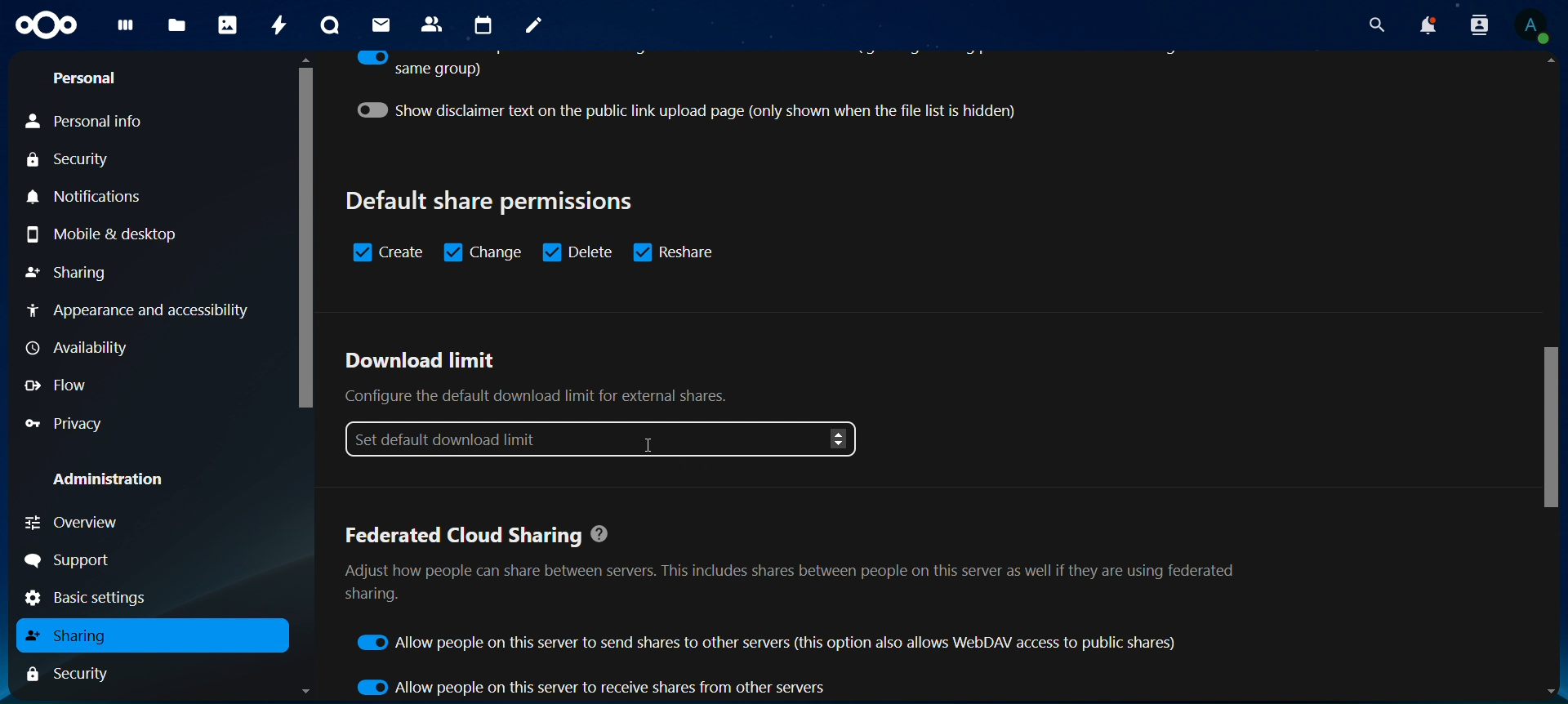 The image size is (1568, 704). Describe the element at coordinates (333, 25) in the screenshot. I see `talk` at that location.